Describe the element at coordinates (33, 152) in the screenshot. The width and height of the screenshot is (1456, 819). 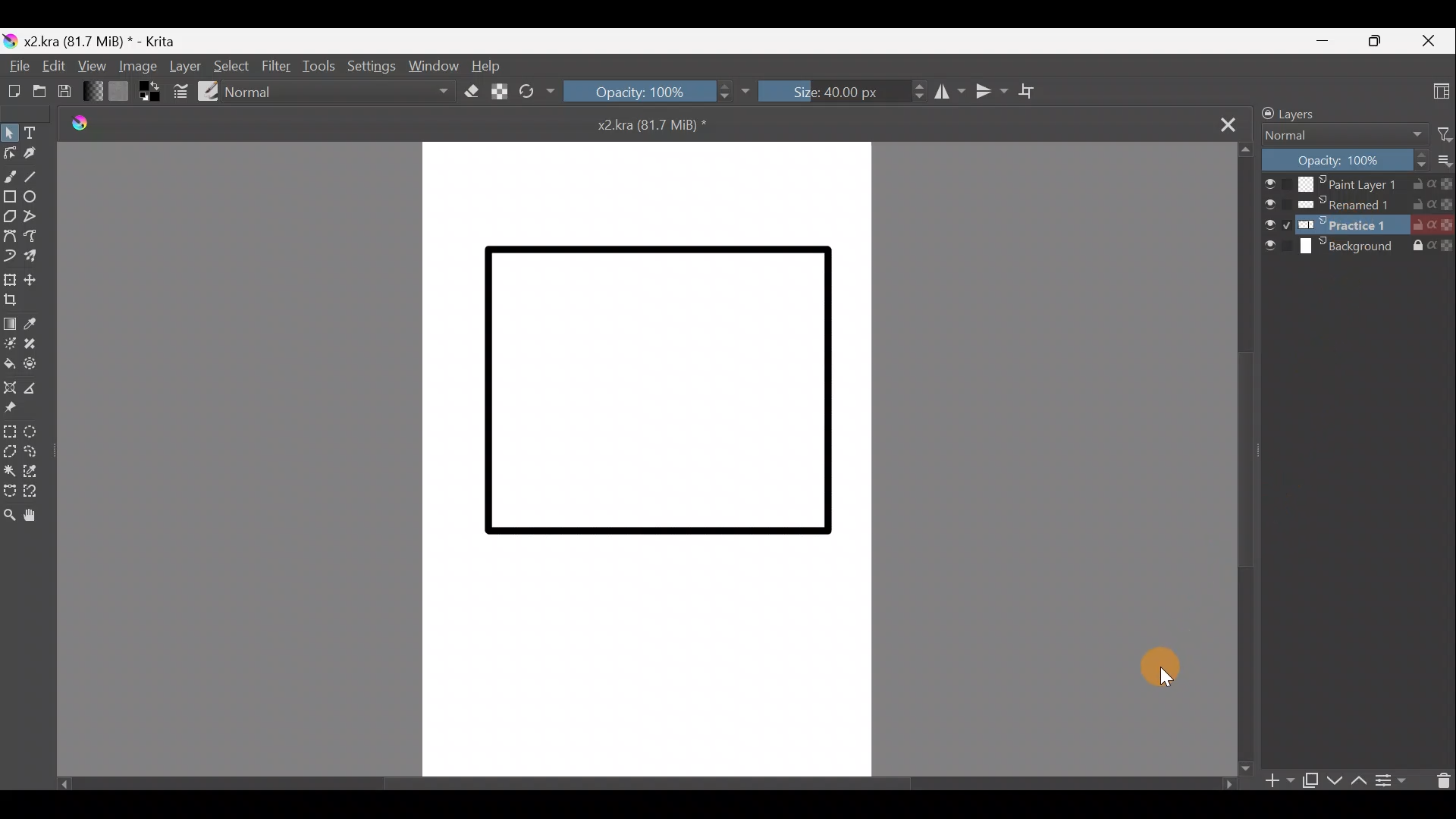
I see `Calligraphy` at that location.